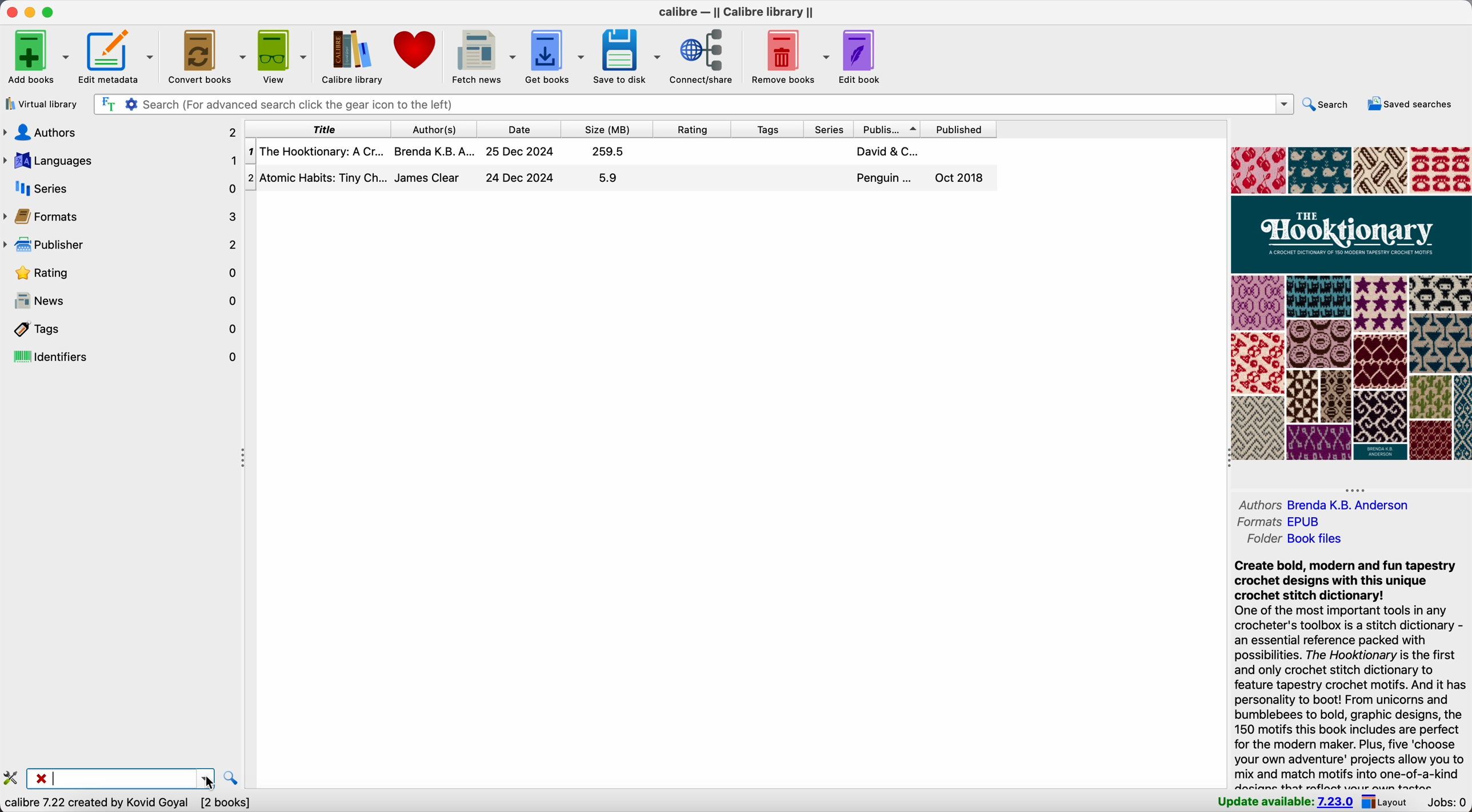  I want to click on search bar, so click(694, 105).